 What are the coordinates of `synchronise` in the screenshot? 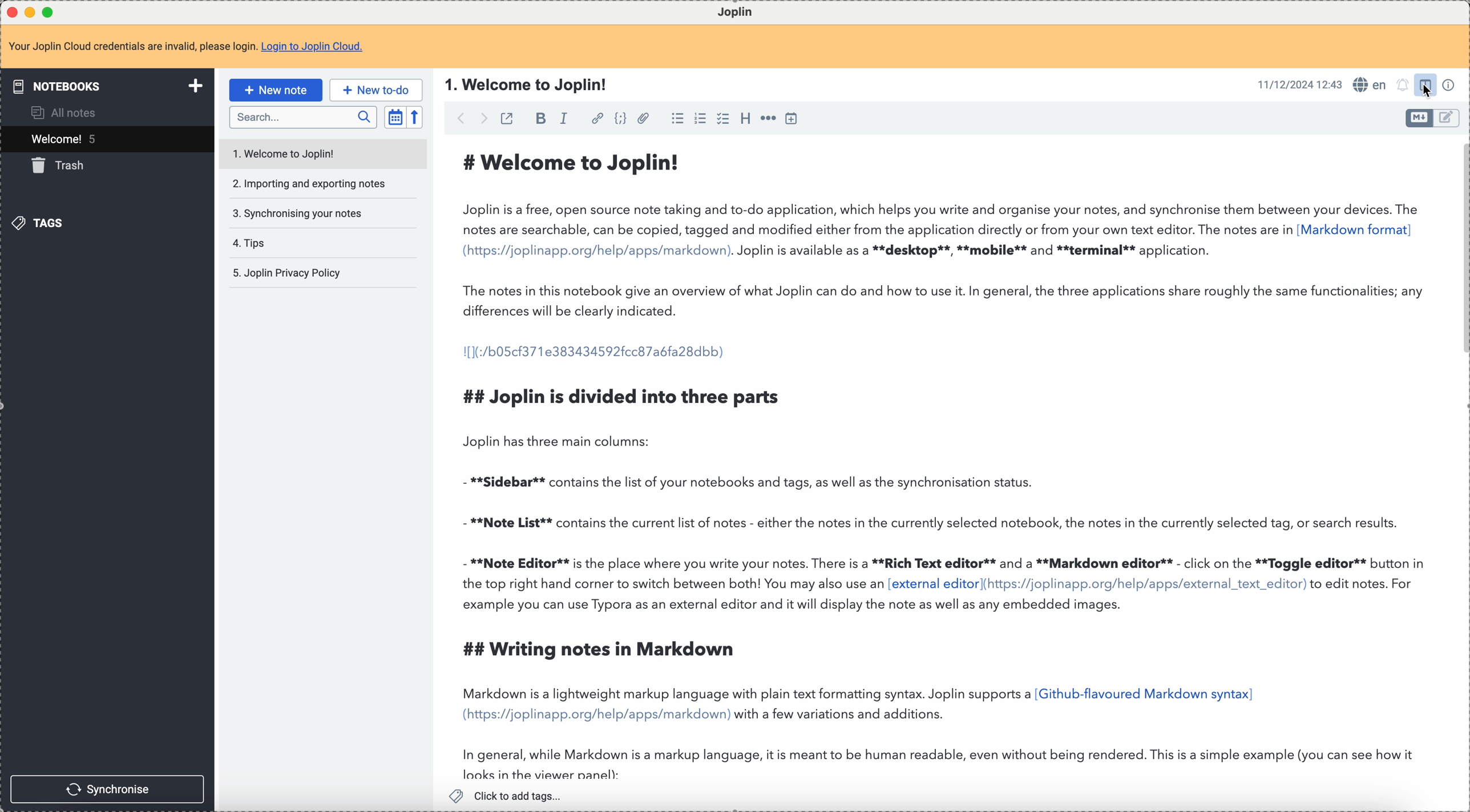 It's located at (108, 789).